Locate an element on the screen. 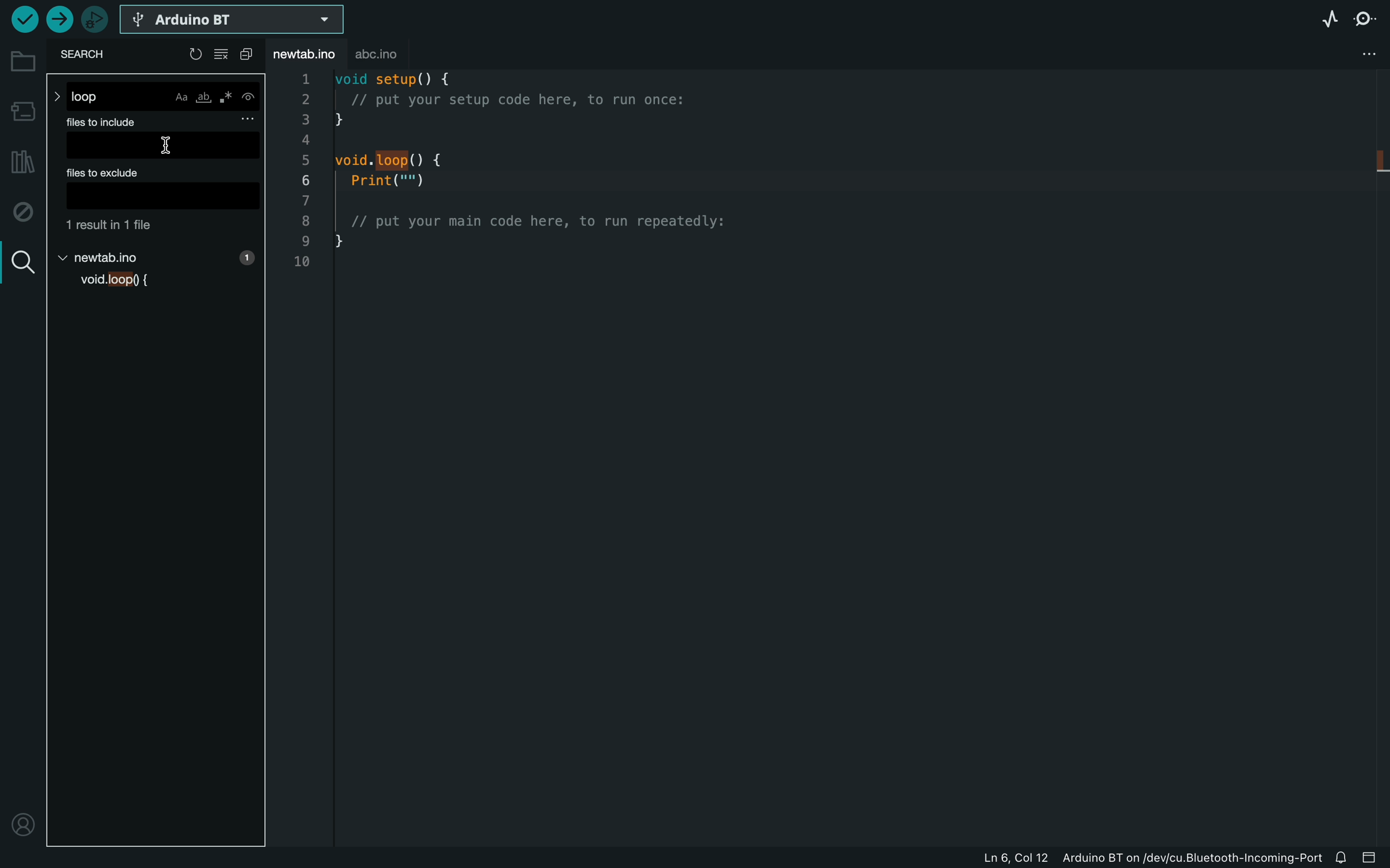  file information is located at coordinates (1098, 856).